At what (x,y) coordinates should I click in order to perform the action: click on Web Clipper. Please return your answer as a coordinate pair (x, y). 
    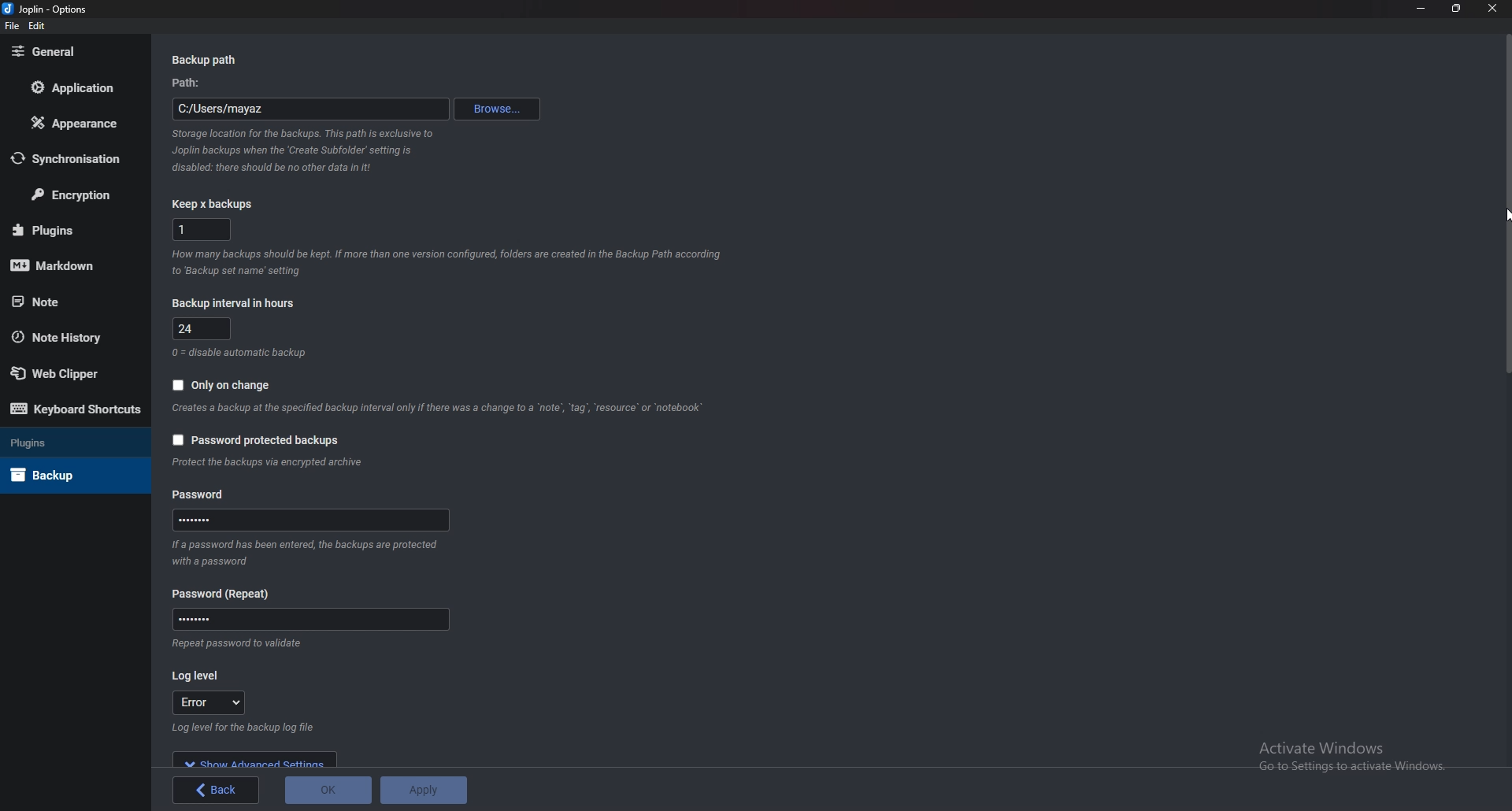
    Looking at the image, I should click on (73, 373).